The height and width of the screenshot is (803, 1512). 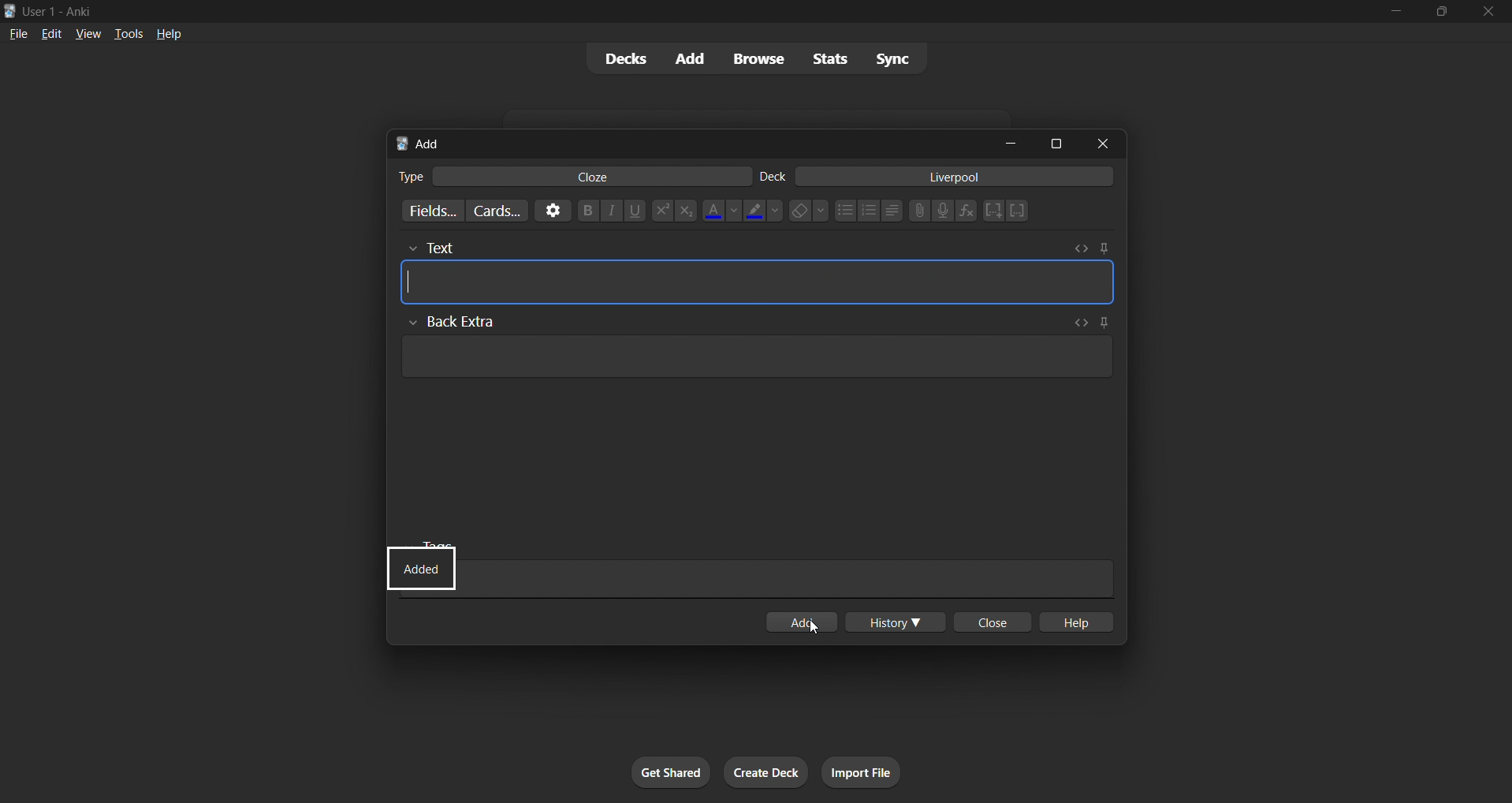 I want to click on bold, so click(x=588, y=213).